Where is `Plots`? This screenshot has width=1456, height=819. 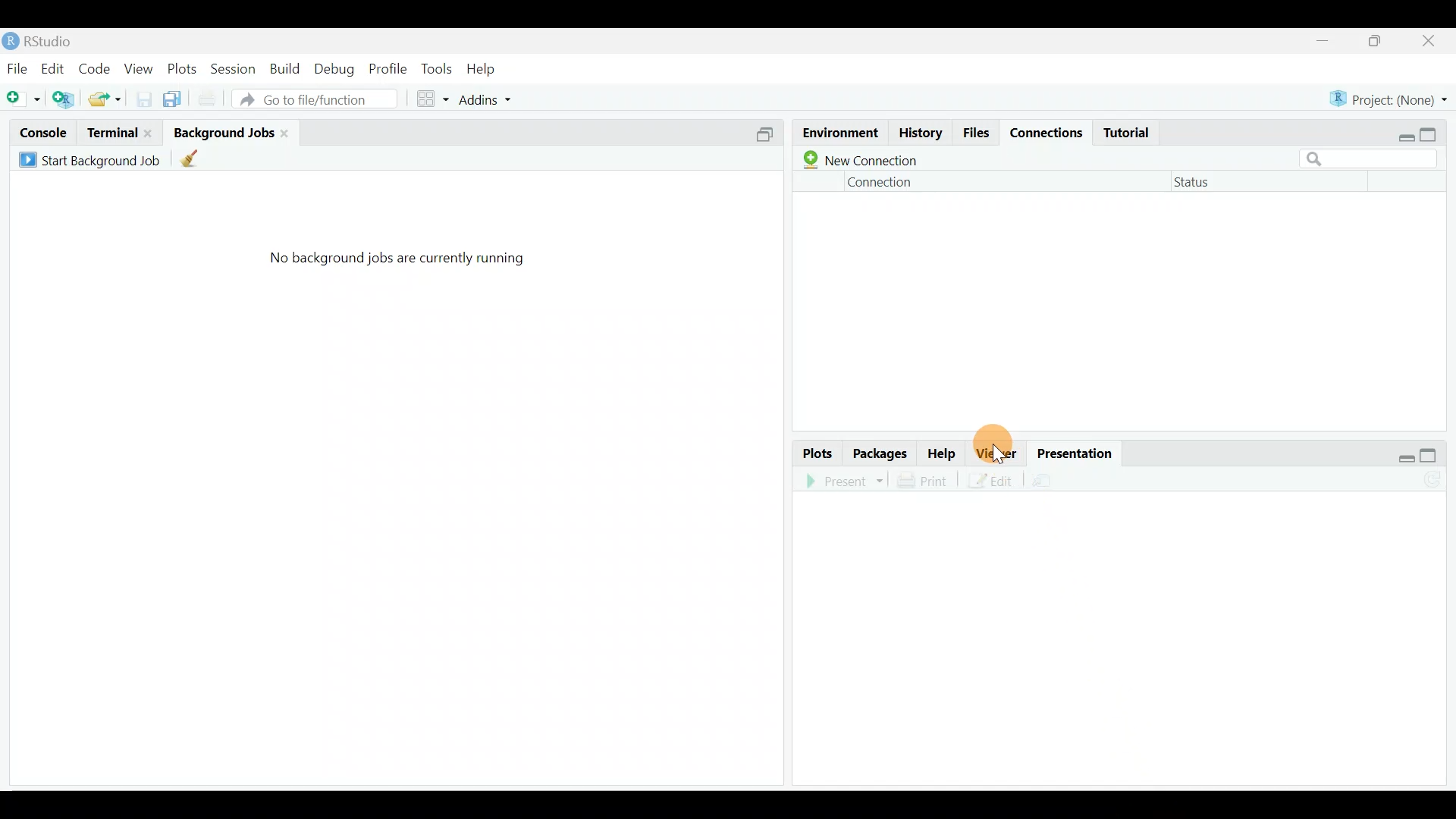
Plots is located at coordinates (816, 452).